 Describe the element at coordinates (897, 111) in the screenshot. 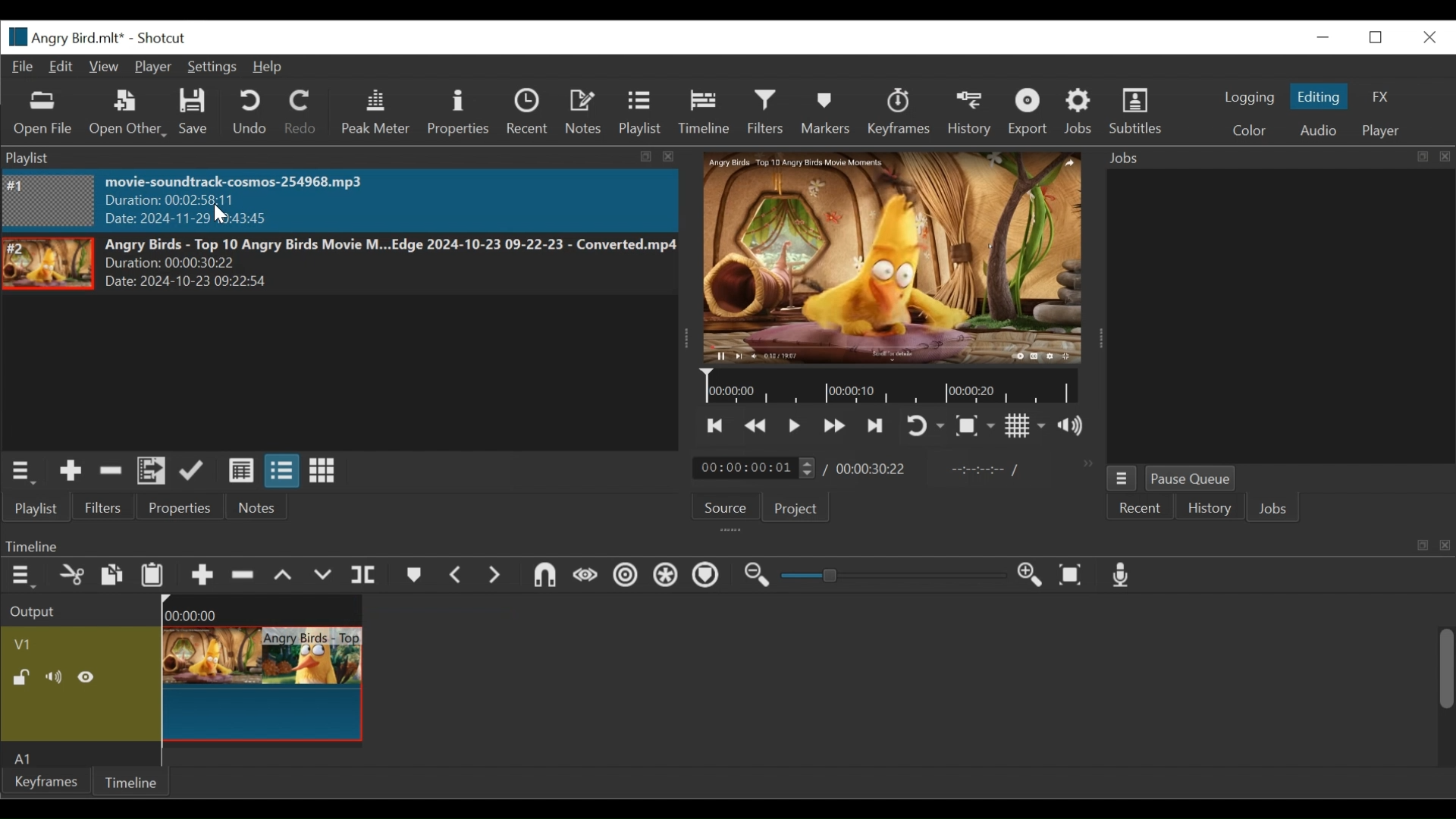

I see `Keyframes` at that location.